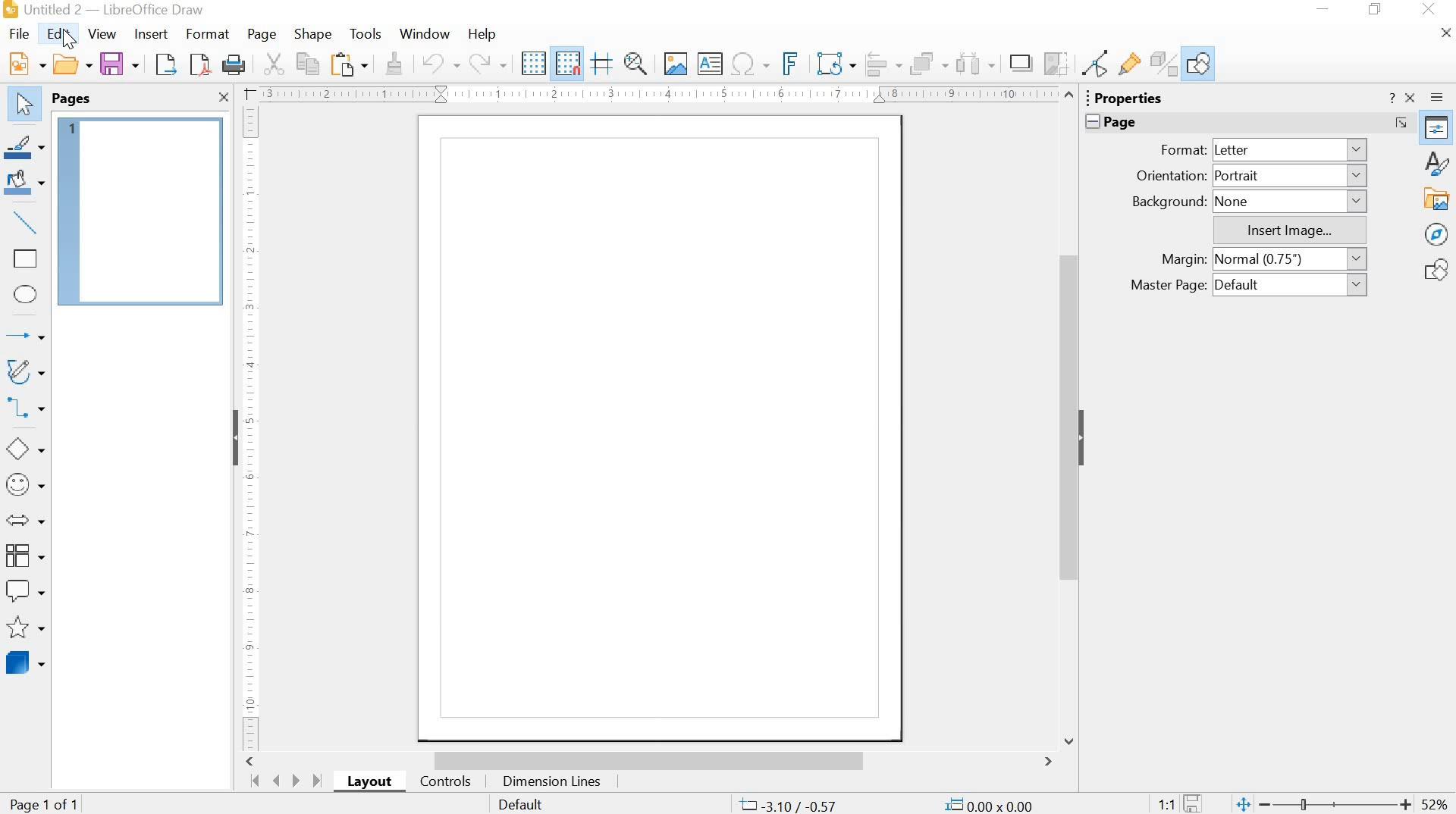  Describe the element at coordinates (142, 212) in the screenshot. I see `Page 1` at that location.